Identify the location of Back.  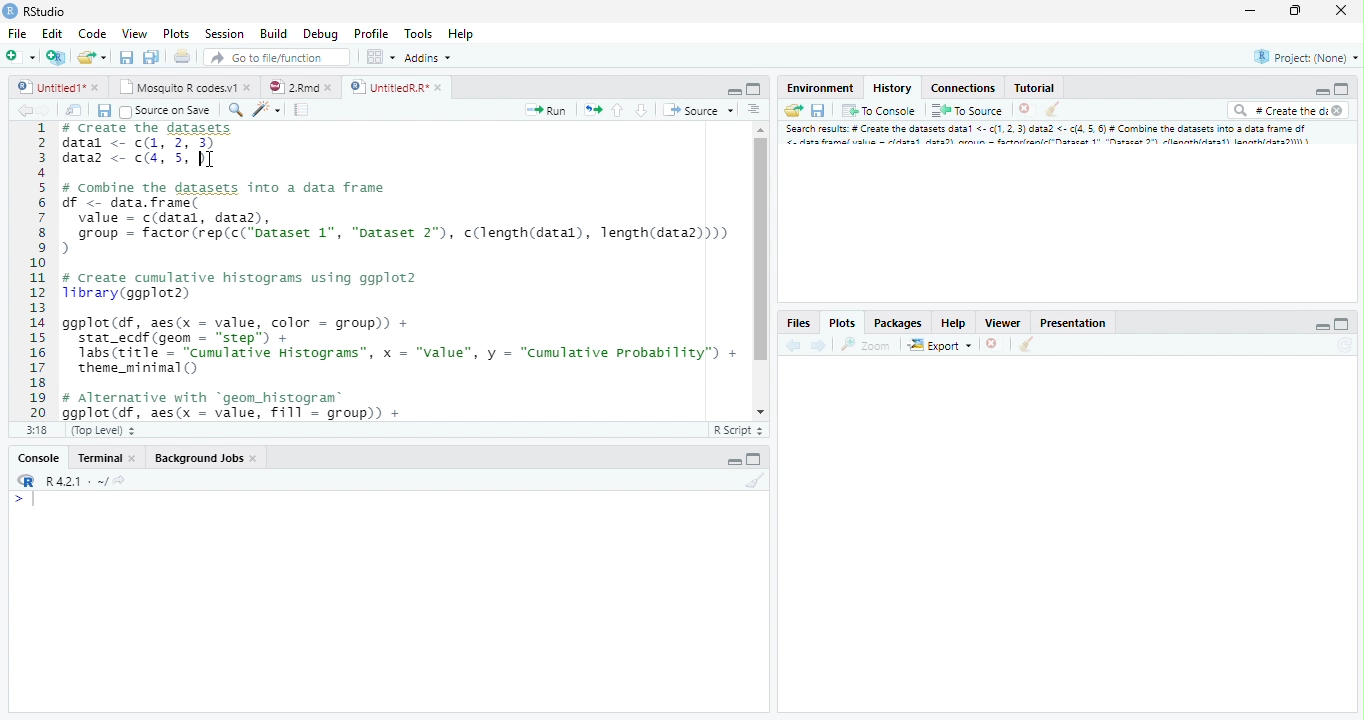
(17, 113).